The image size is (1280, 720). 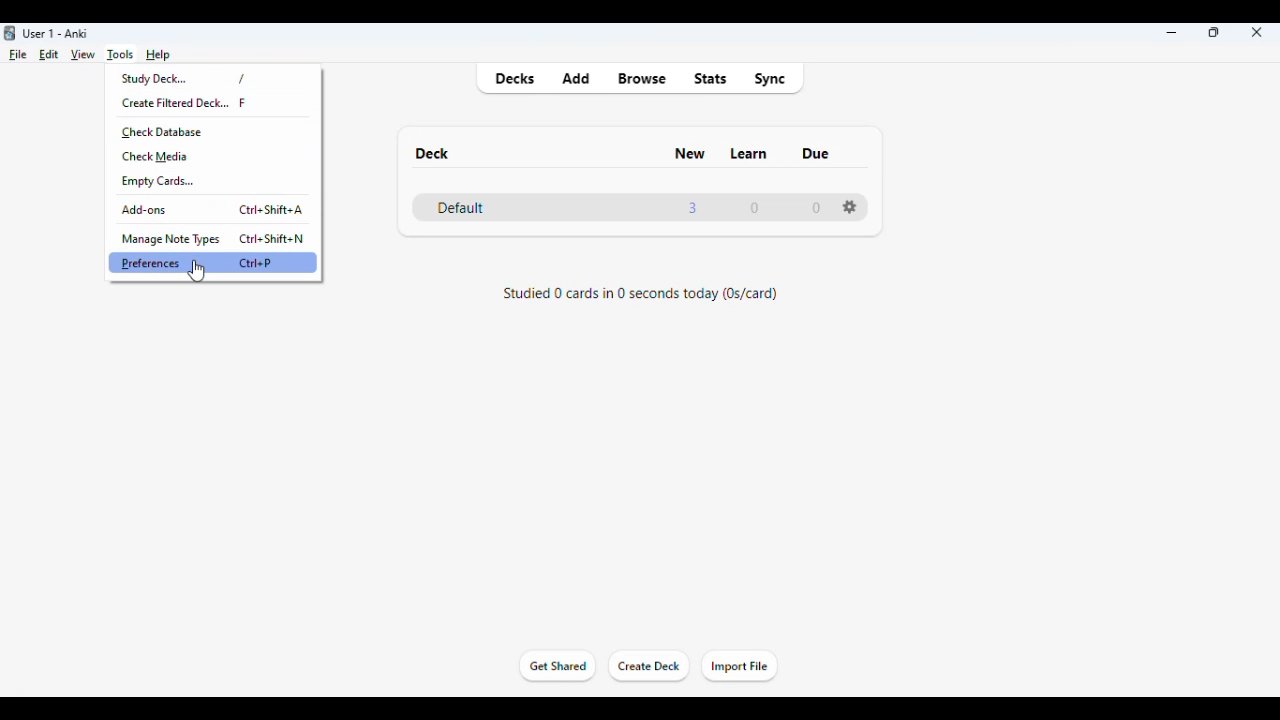 What do you see at coordinates (816, 208) in the screenshot?
I see `0` at bounding box center [816, 208].